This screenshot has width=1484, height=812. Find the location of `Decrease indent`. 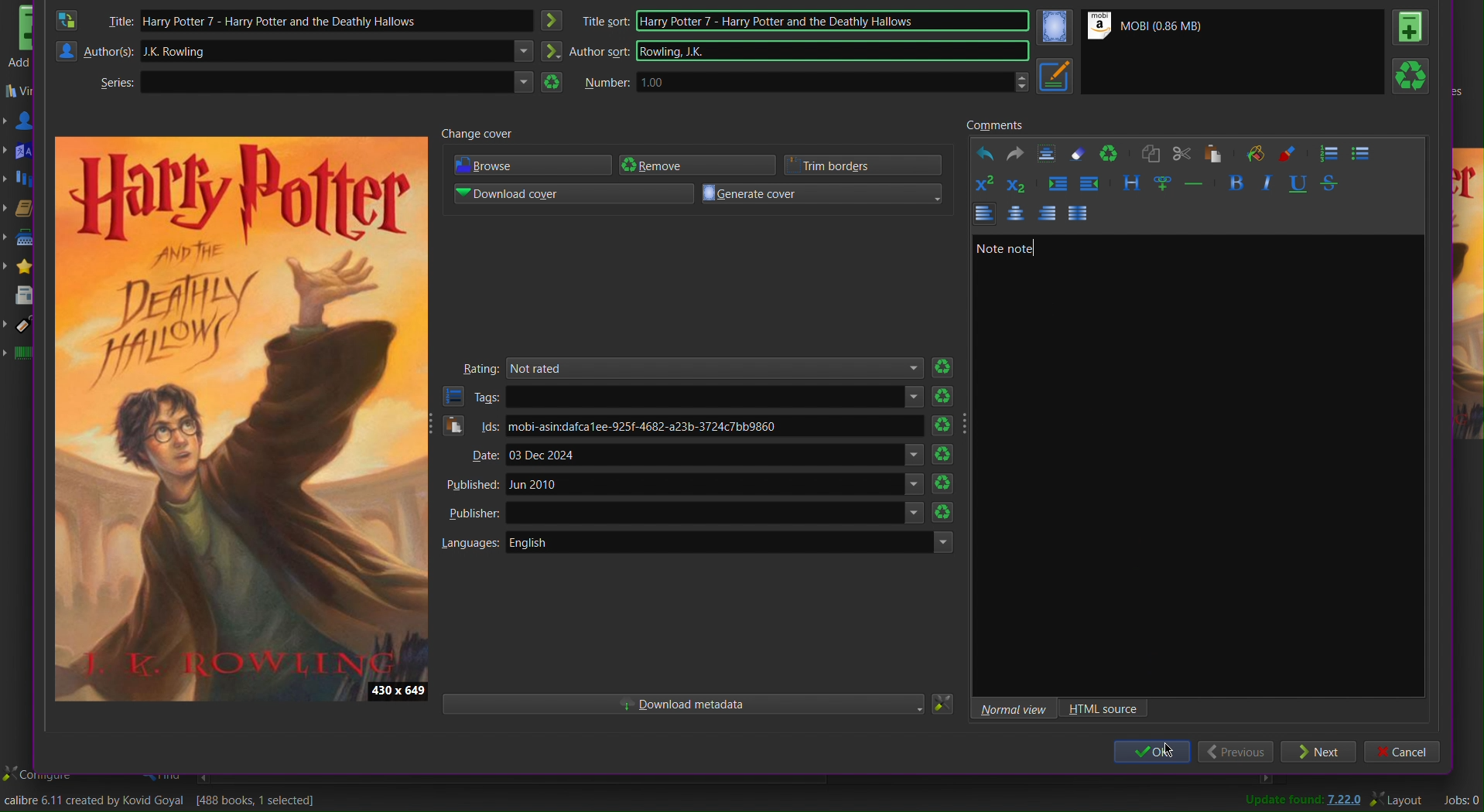

Decrease indent is located at coordinates (1089, 184).